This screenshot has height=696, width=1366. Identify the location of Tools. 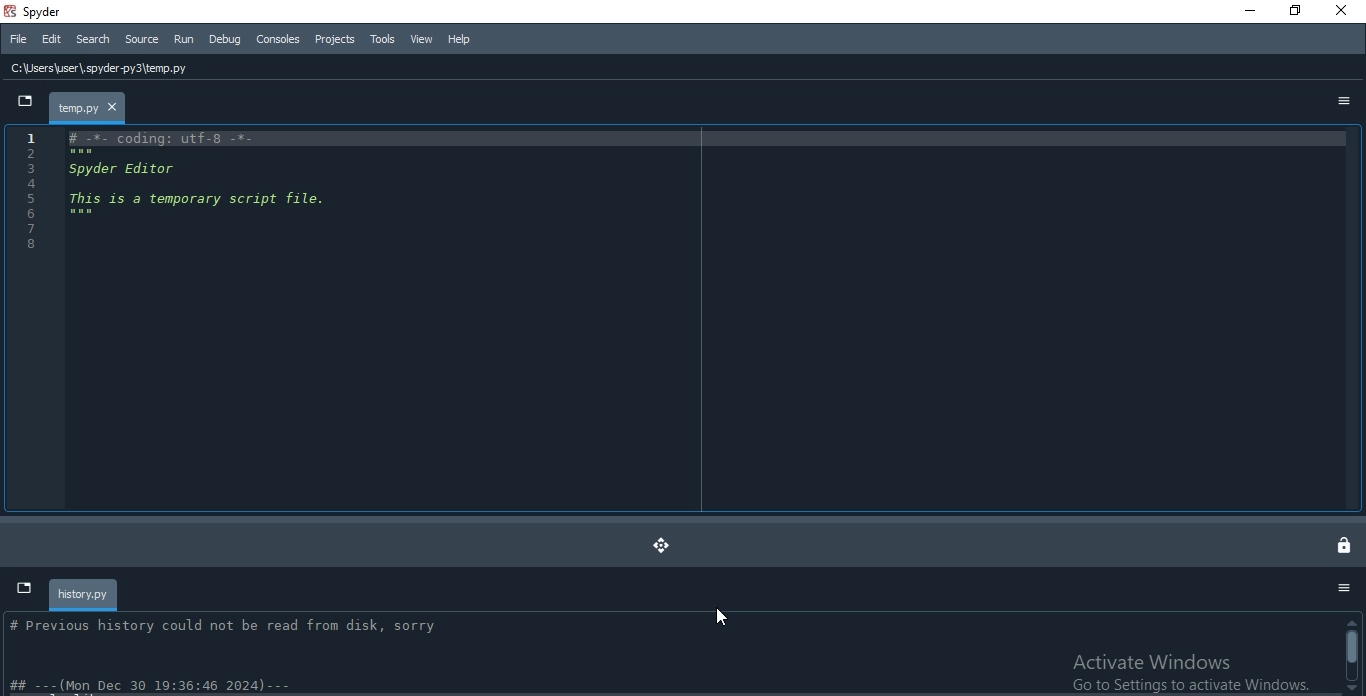
(383, 38).